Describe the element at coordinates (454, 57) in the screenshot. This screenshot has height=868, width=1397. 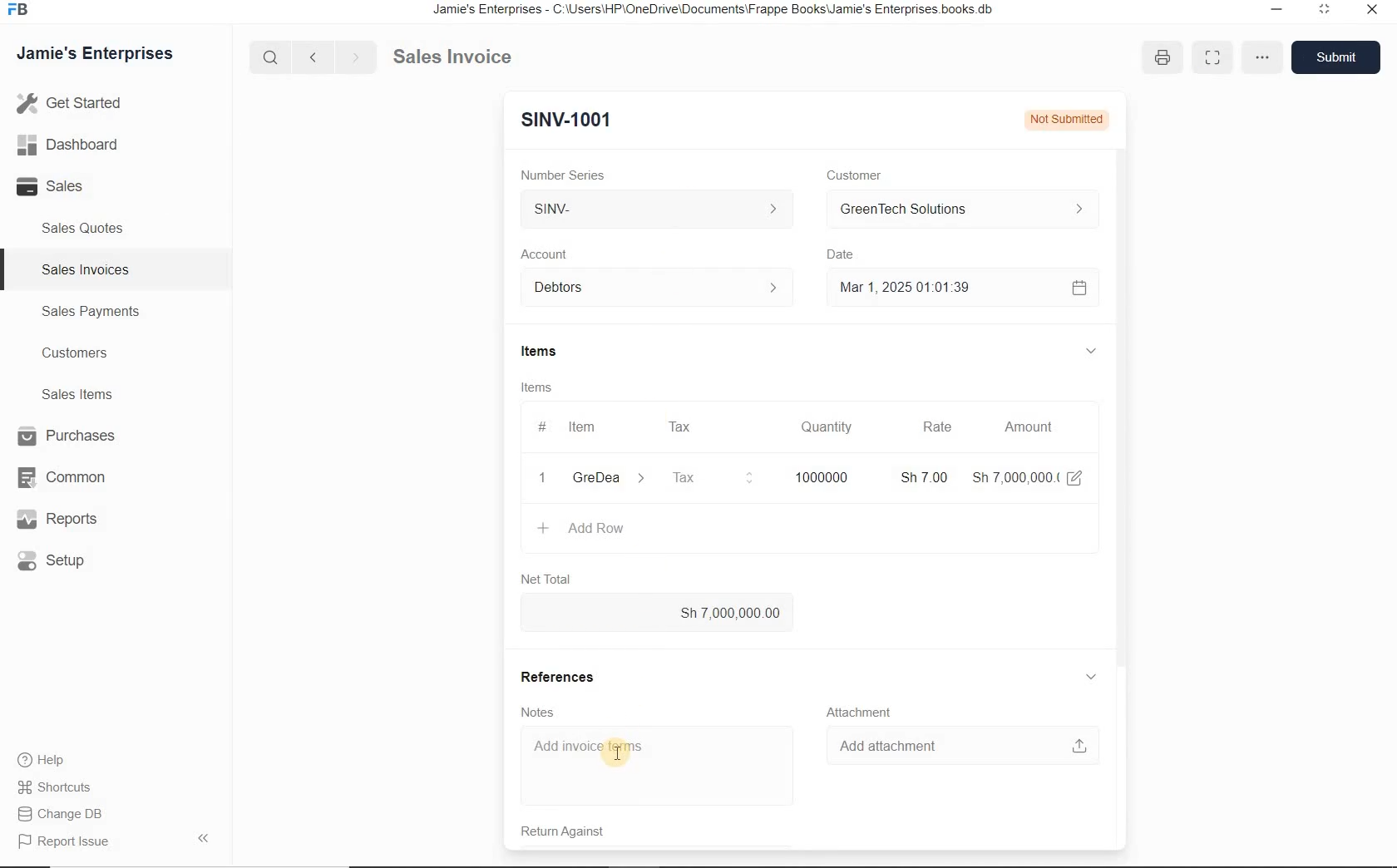
I see `Sales Invoice` at that location.